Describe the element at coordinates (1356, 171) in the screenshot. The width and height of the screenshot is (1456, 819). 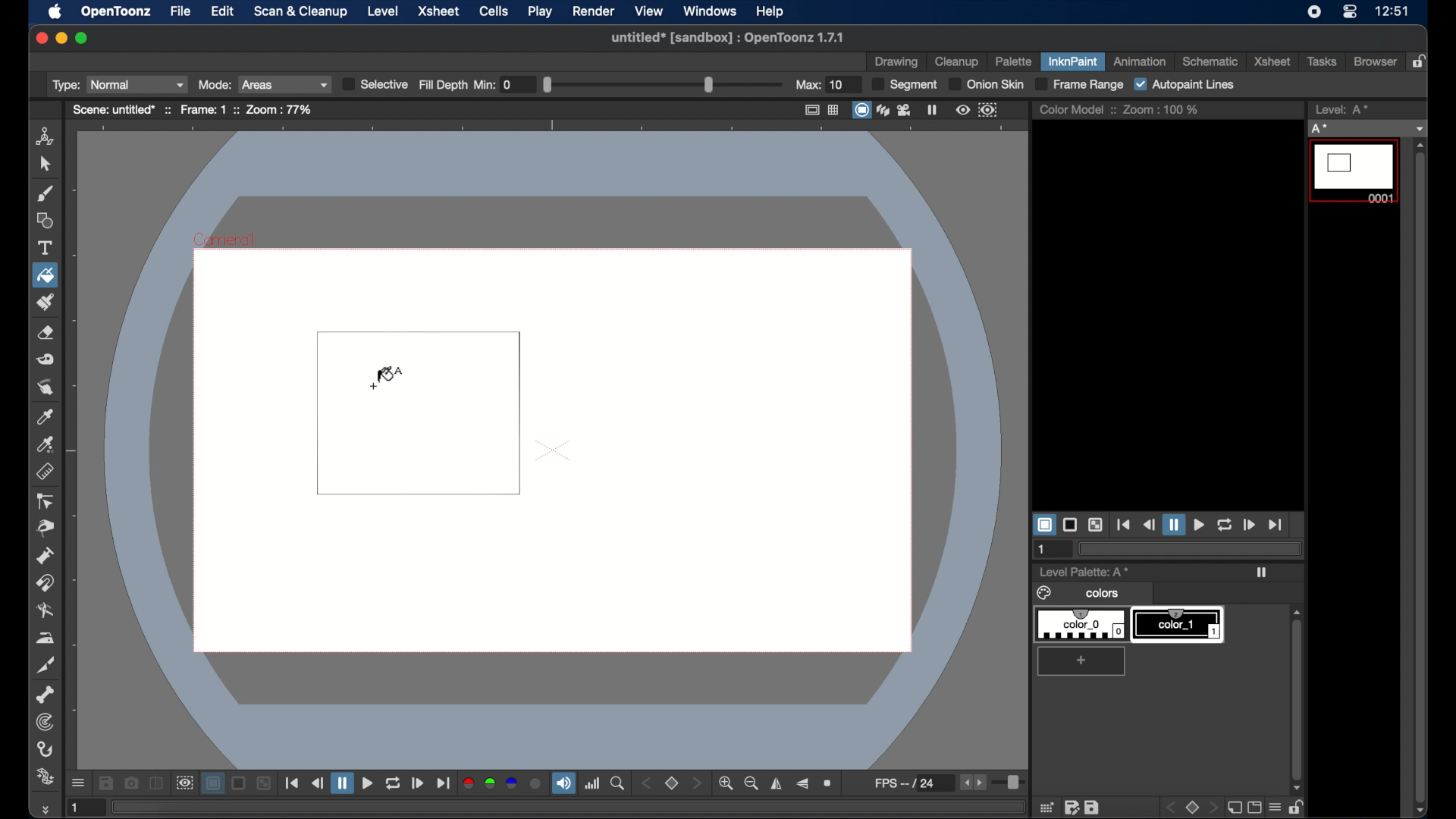
I see `level 0001` at that location.